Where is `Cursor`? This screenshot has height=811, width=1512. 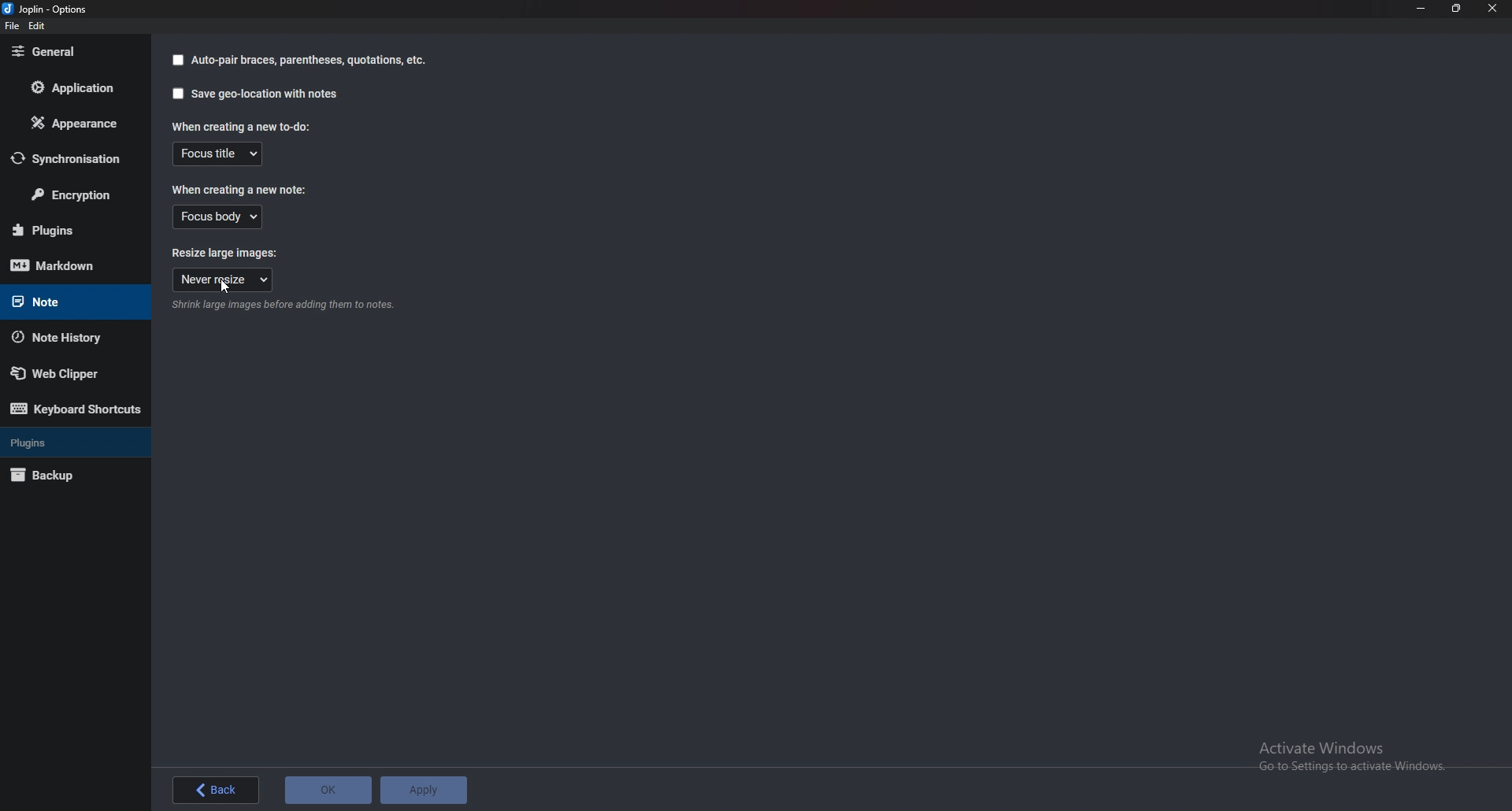 Cursor is located at coordinates (229, 287).